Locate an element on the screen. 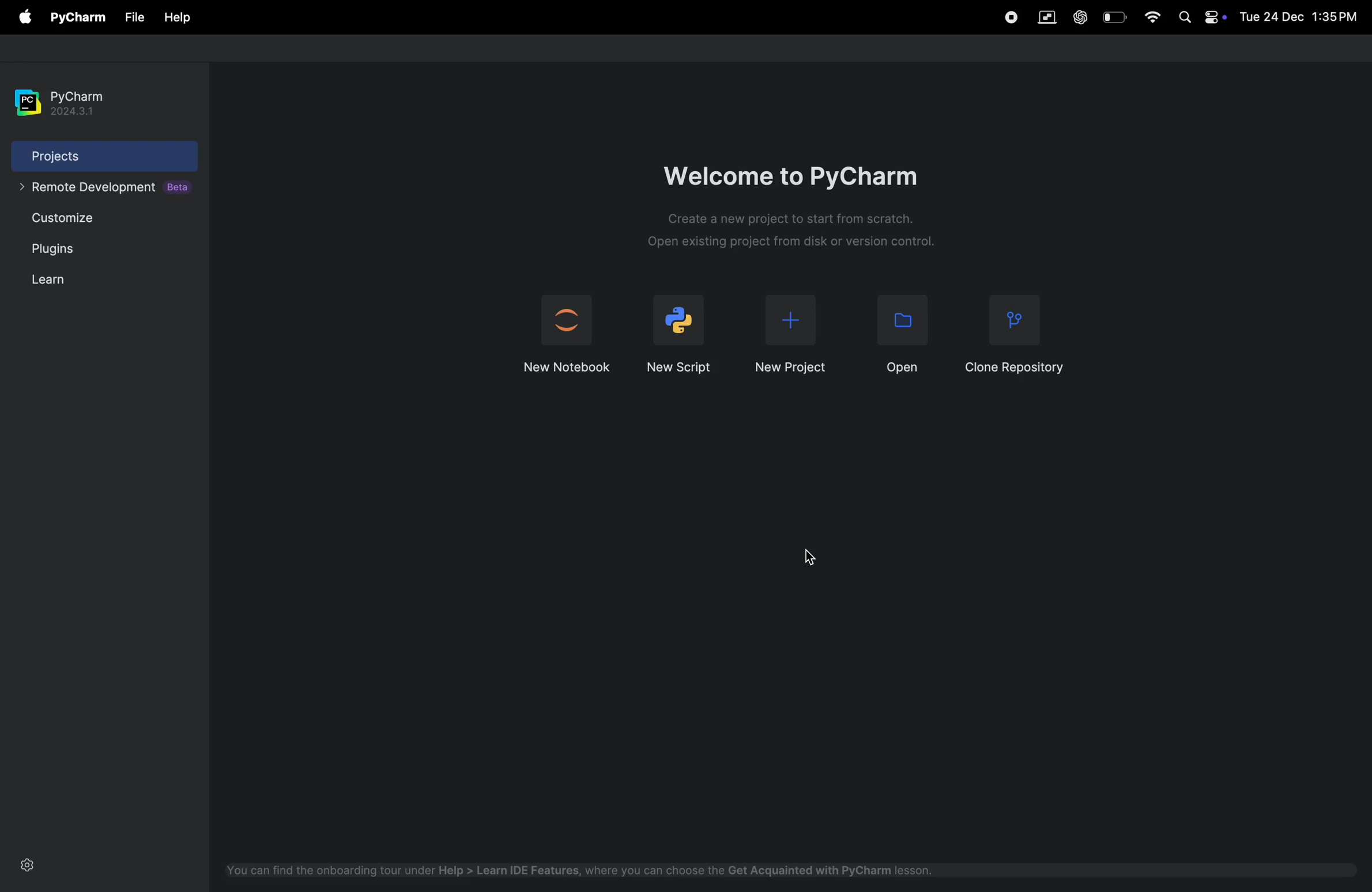 The height and width of the screenshot is (892, 1372). apple menu is located at coordinates (19, 16).